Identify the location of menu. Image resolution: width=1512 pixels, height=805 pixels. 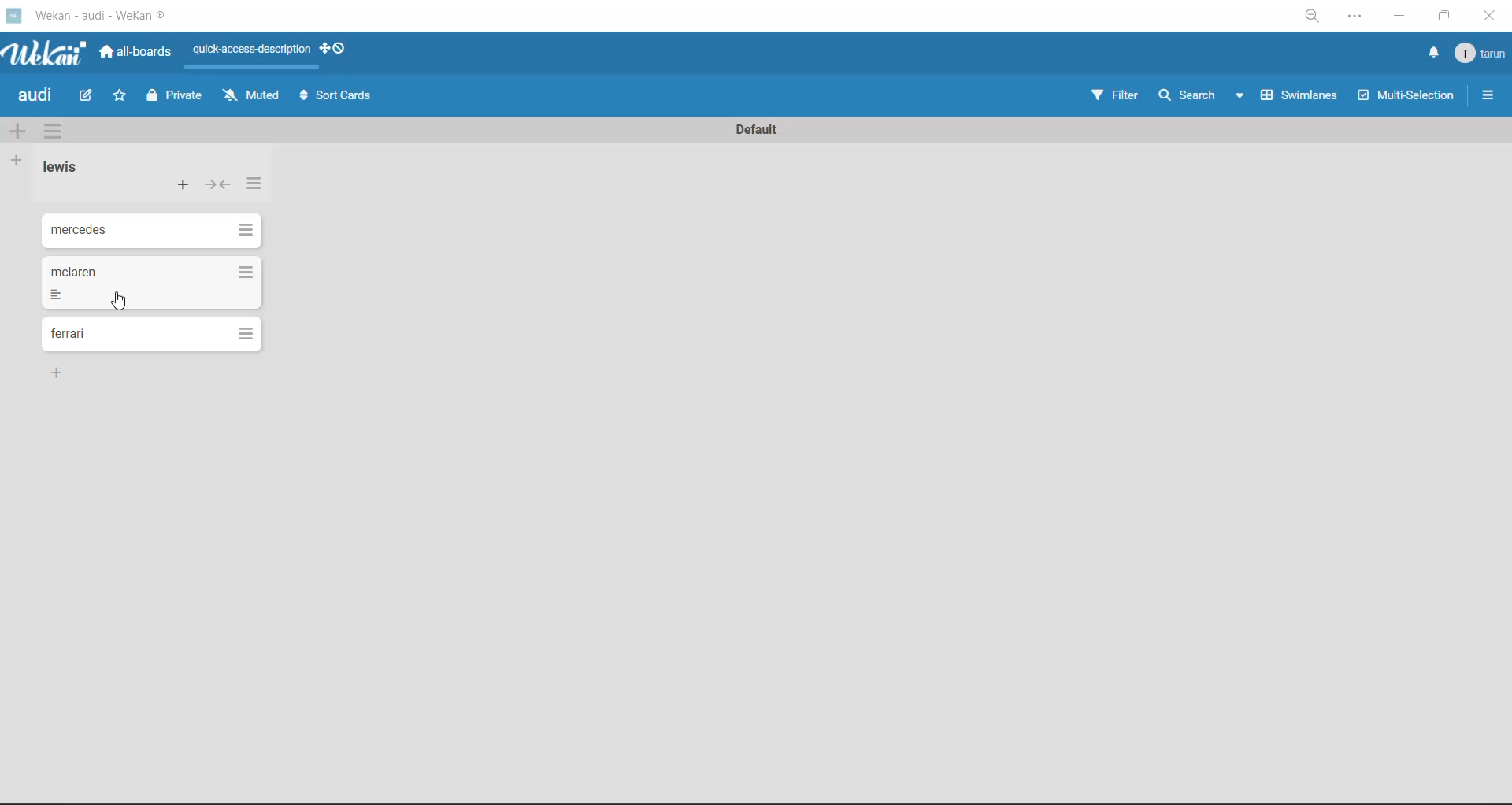
(1482, 54).